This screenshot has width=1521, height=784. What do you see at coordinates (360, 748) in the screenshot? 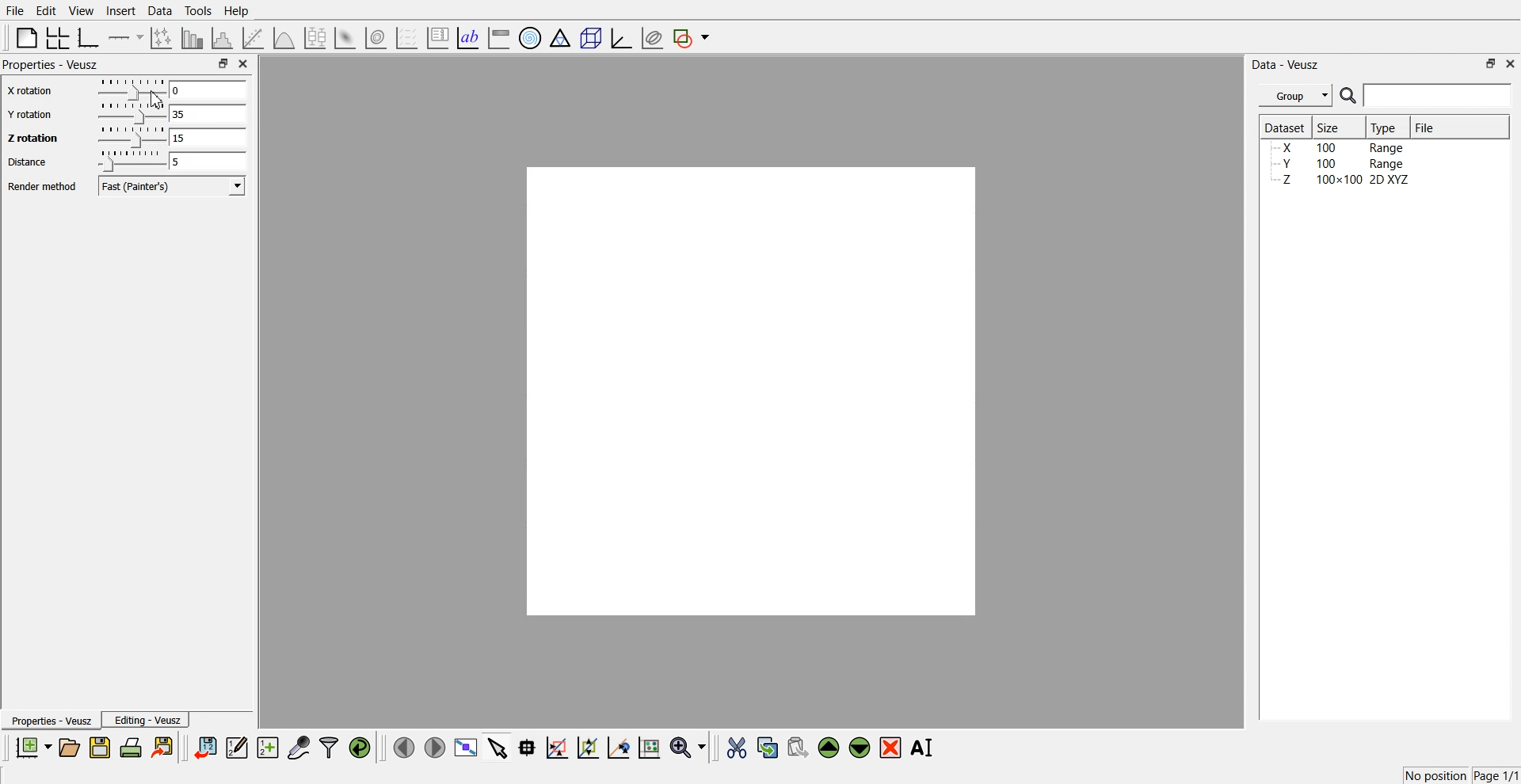
I see `Reload linked dataset` at bounding box center [360, 748].